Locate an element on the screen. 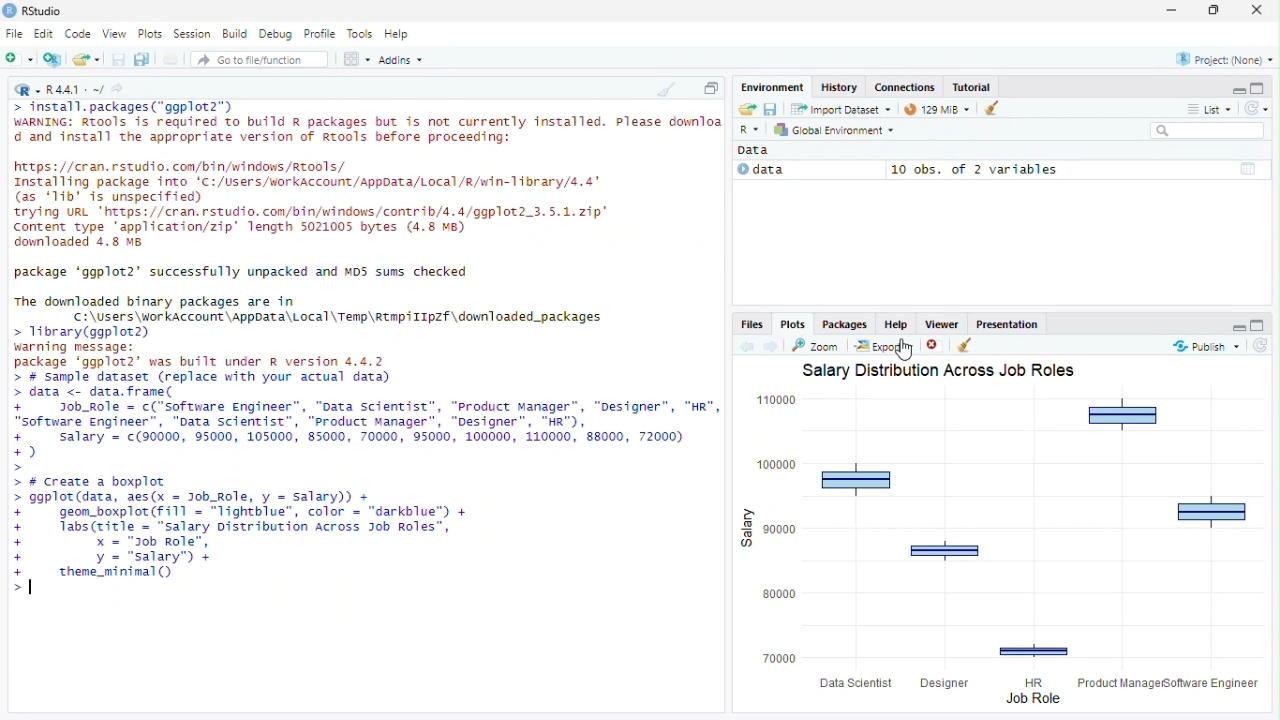  remove the current plot is located at coordinates (937, 345).